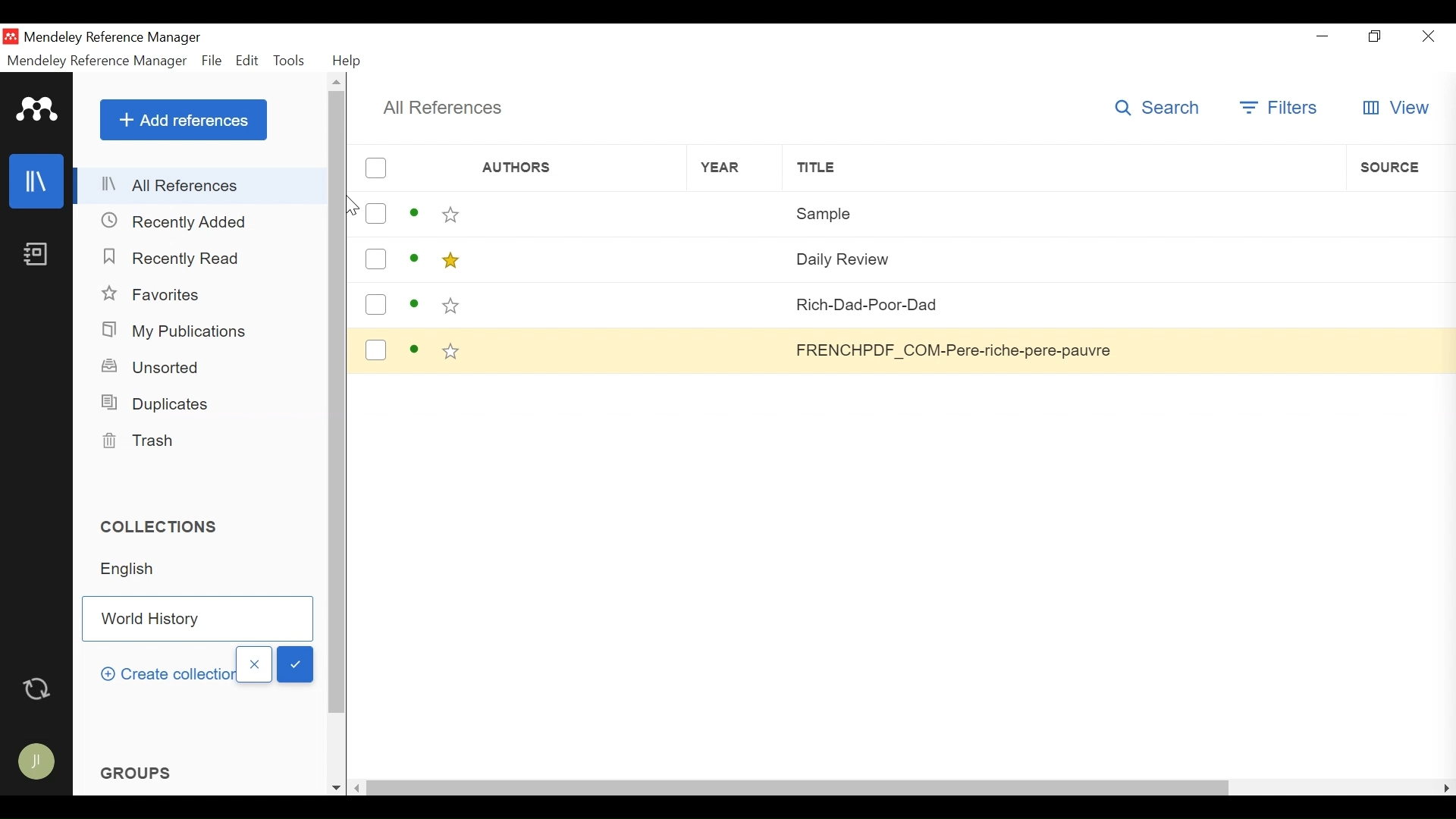 The width and height of the screenshot is (1456, 819). I want to click on Source, so click(1396, 305).